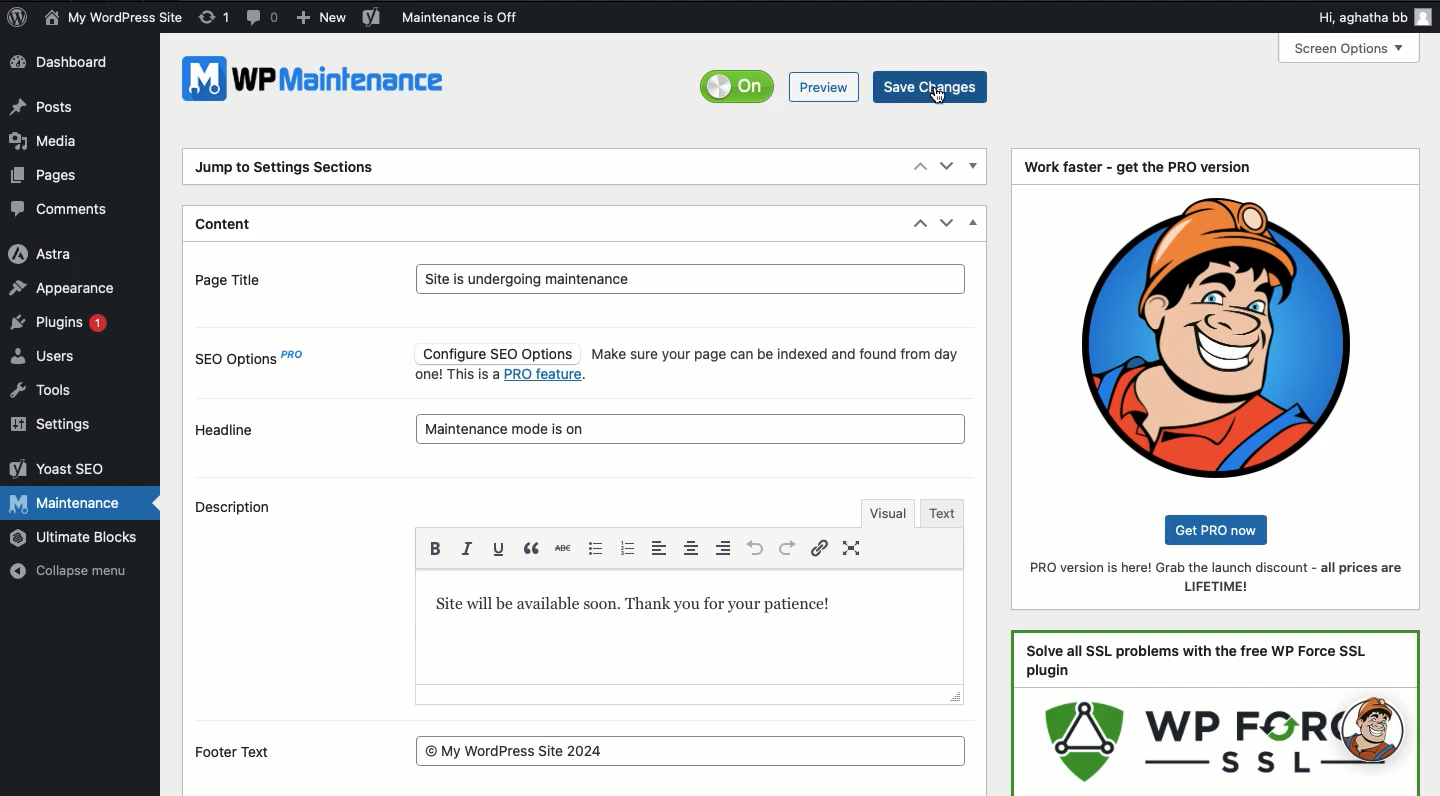 The image size is (1440, 796). What do you see at coordinates (49, 177) in the screenshot?
I see `Pages` at bounding box center [49, 177].